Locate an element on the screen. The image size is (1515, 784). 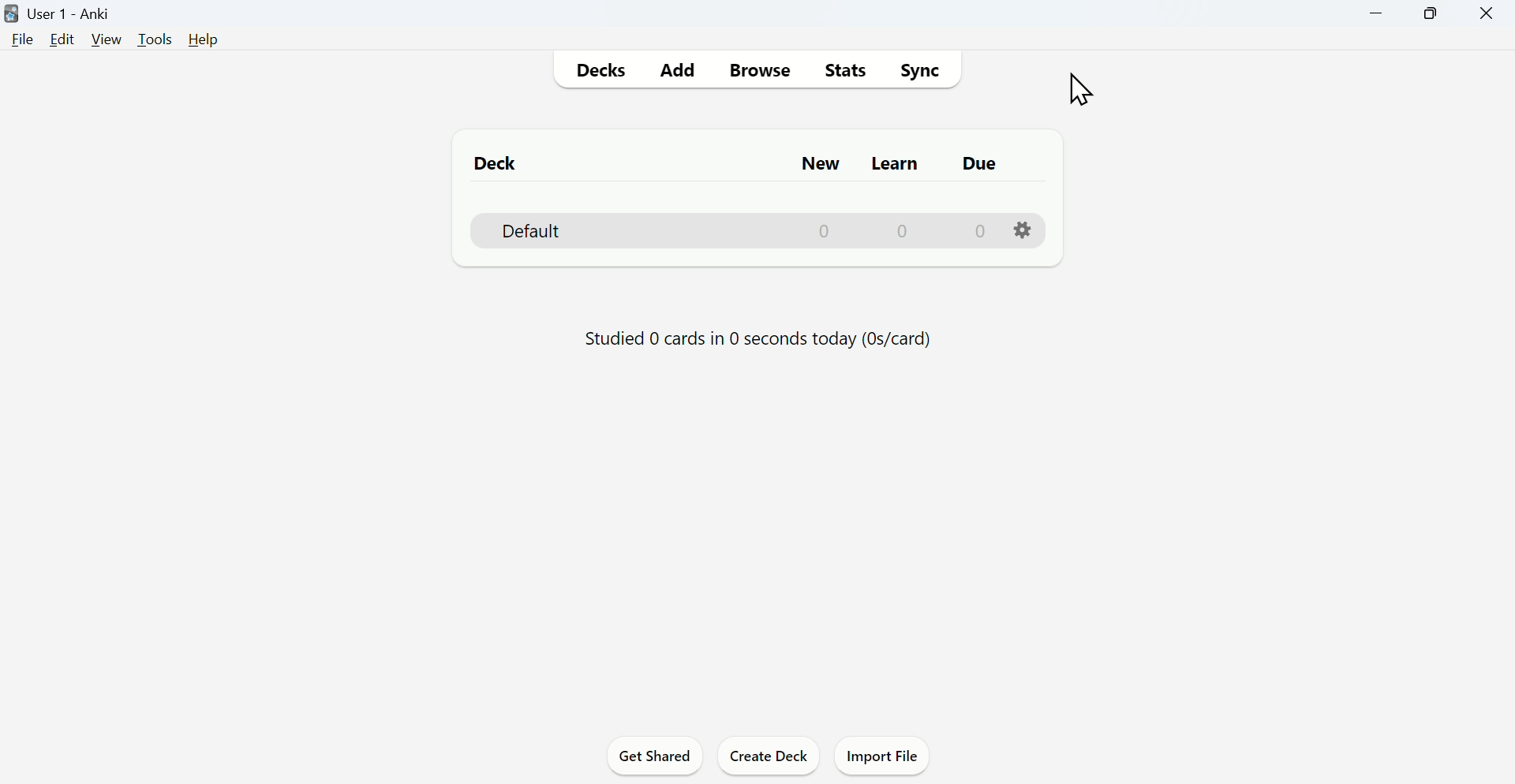
Due is located at coordinates (978, 163).